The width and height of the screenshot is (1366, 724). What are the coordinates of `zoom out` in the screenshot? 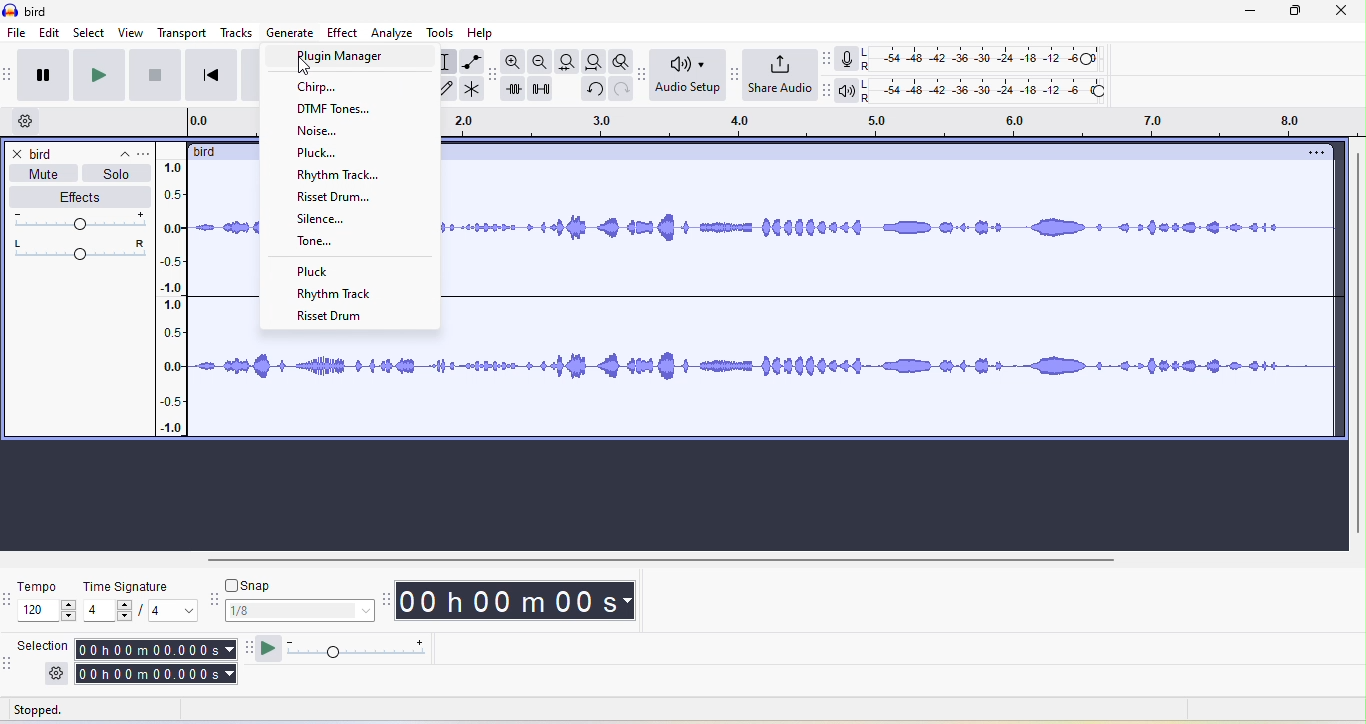 It's located at (540, 61).